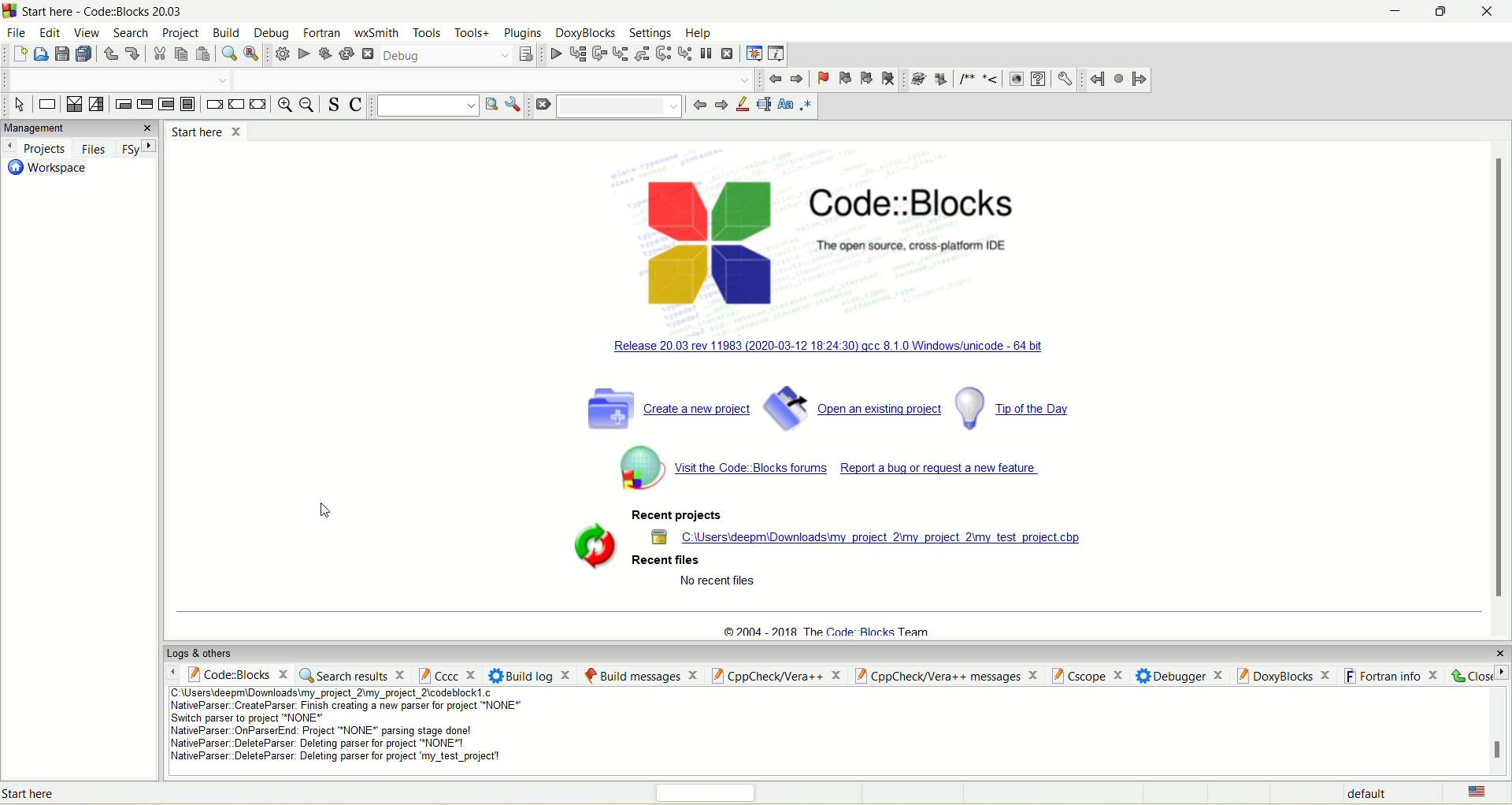  Describe the element at coordinates (773, 80) in the screenshot. I see `jump back` at that location.